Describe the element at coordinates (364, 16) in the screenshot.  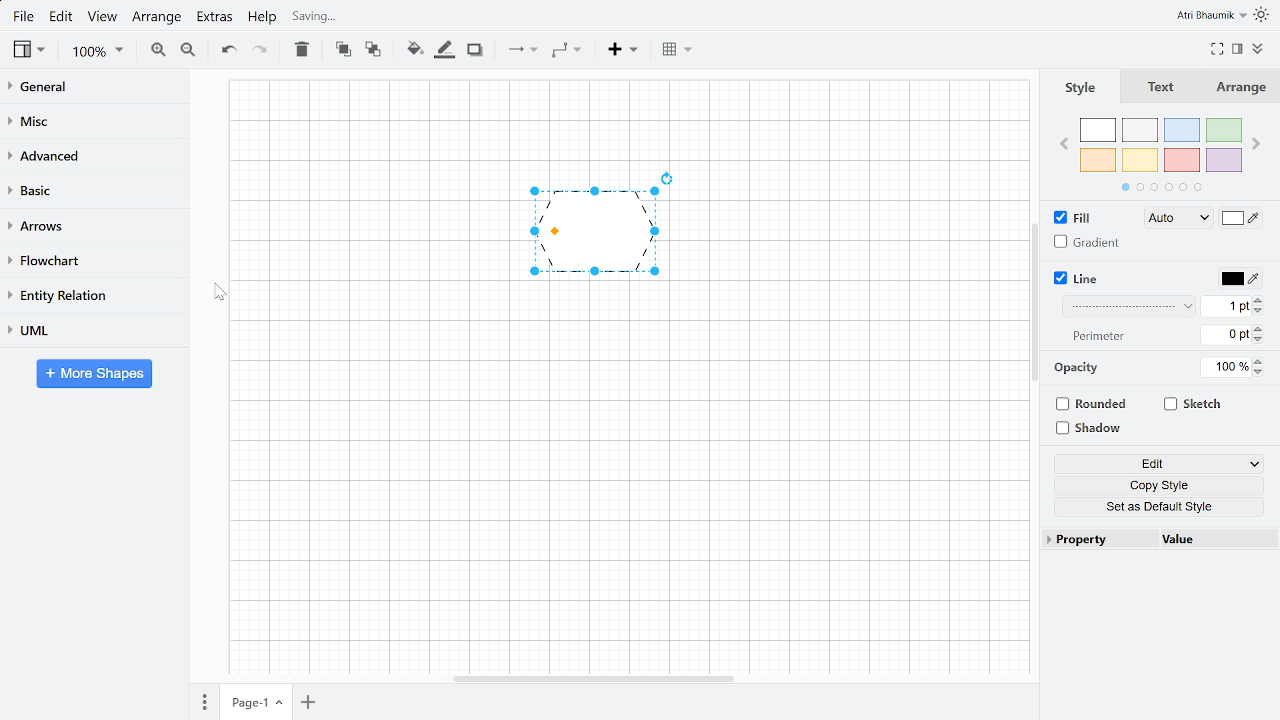
I see `Saving changes` at that location.